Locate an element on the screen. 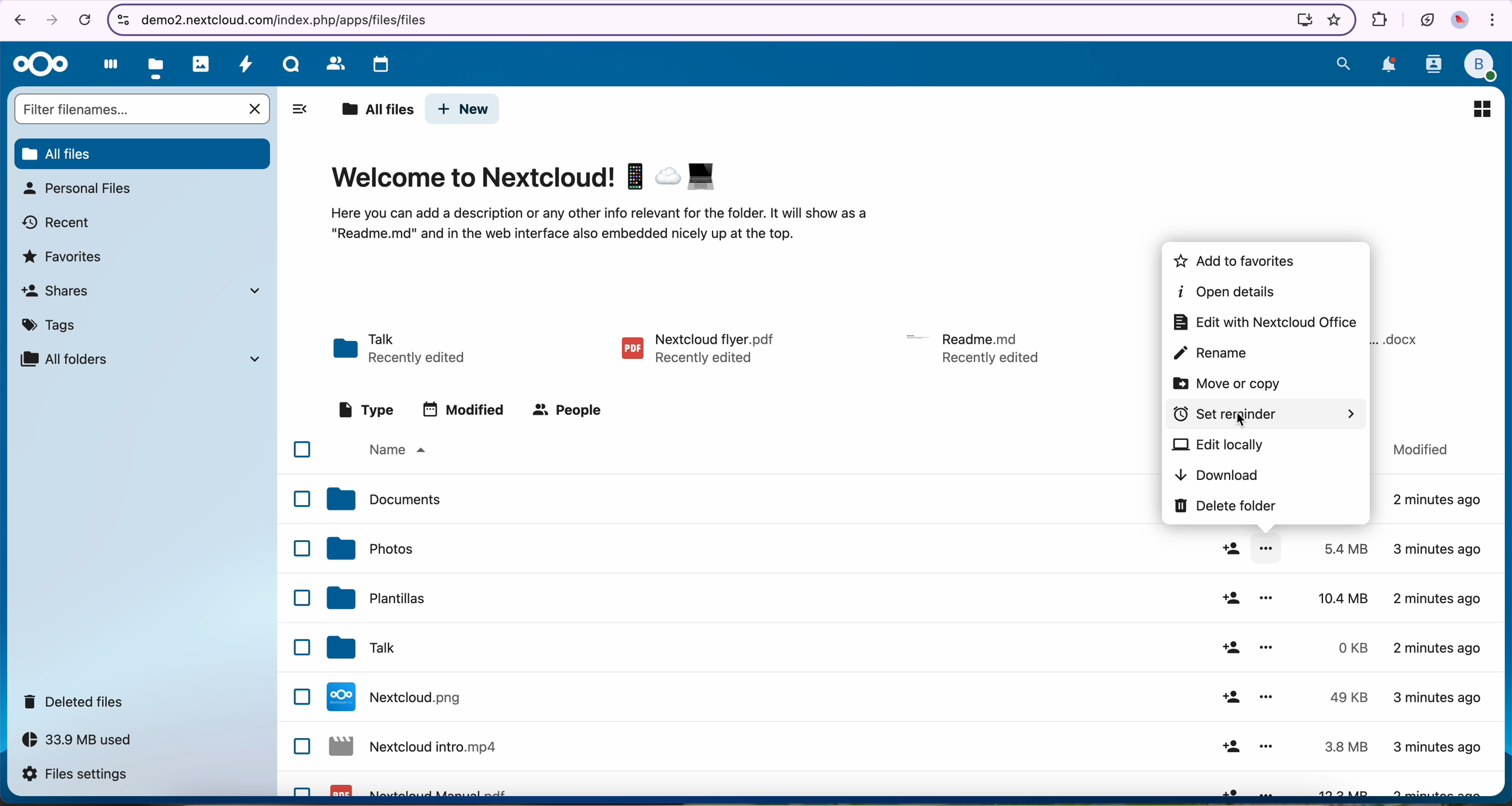  more options is located at coordinates (1266, 698).